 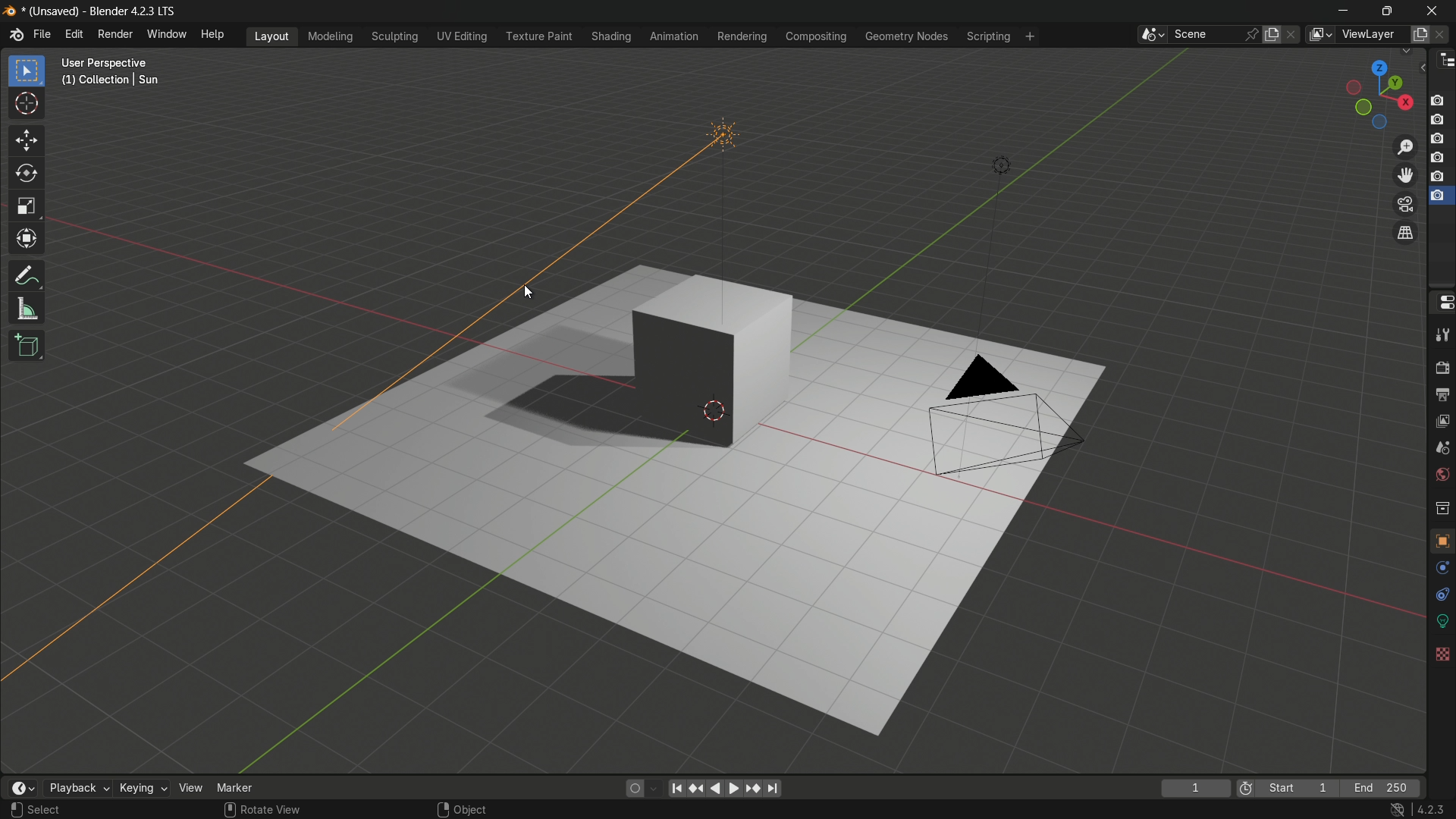 I want to click on close app, so click(x=1436, y=9).